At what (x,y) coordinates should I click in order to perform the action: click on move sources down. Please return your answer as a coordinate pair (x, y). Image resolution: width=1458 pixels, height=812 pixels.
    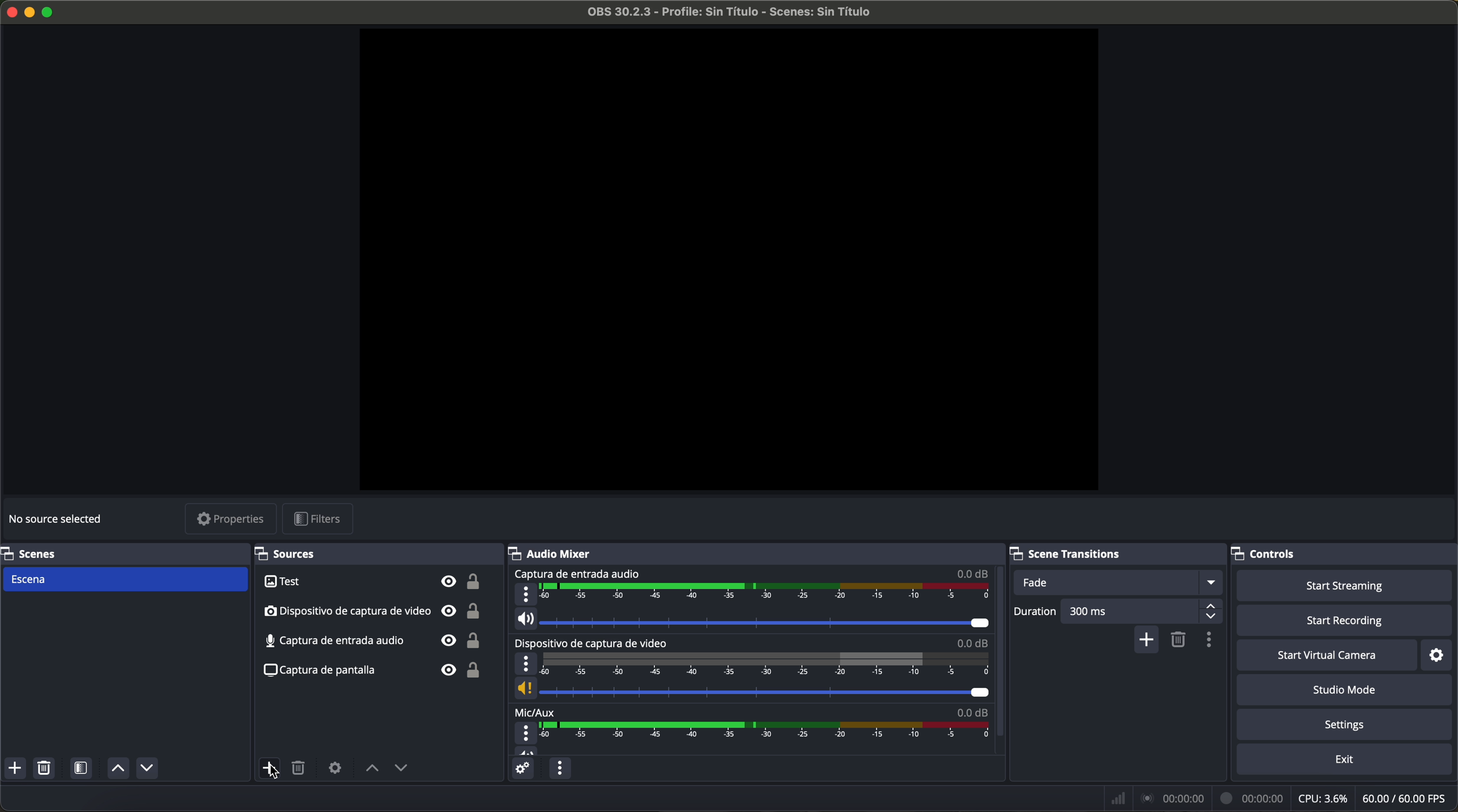
    Looking at the image, I should click on (147, 768).